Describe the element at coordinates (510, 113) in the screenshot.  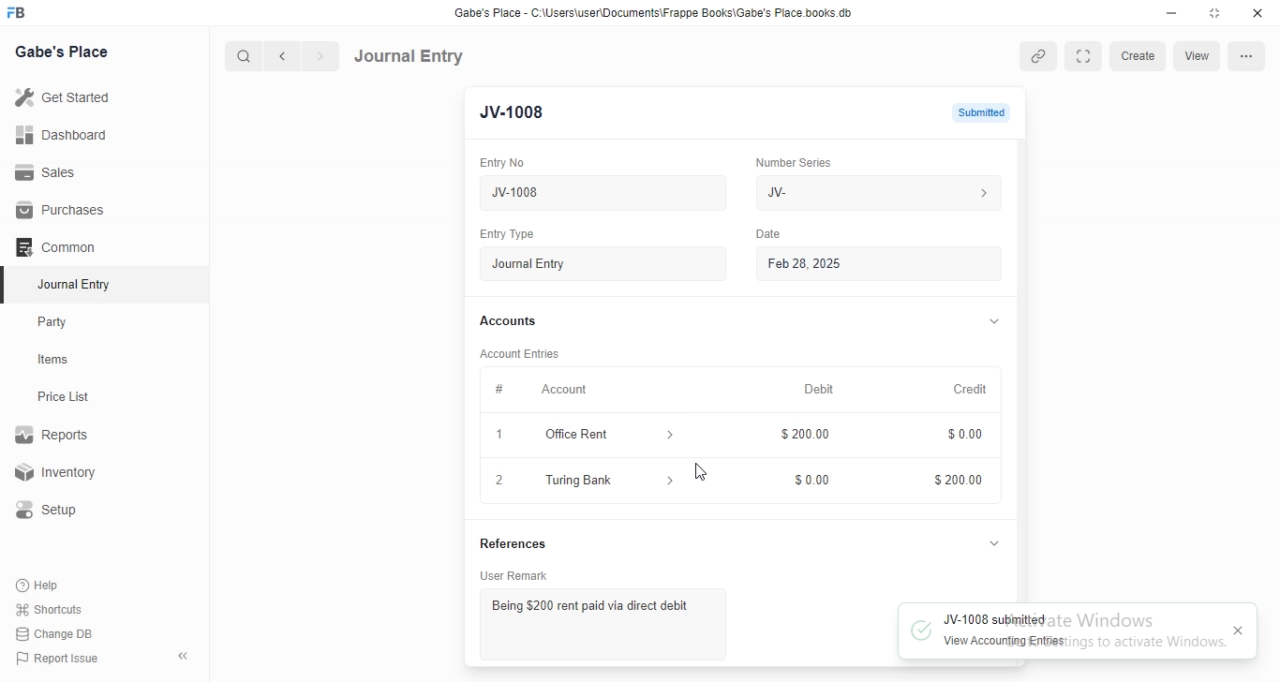
I see `JV-1008` at that location.